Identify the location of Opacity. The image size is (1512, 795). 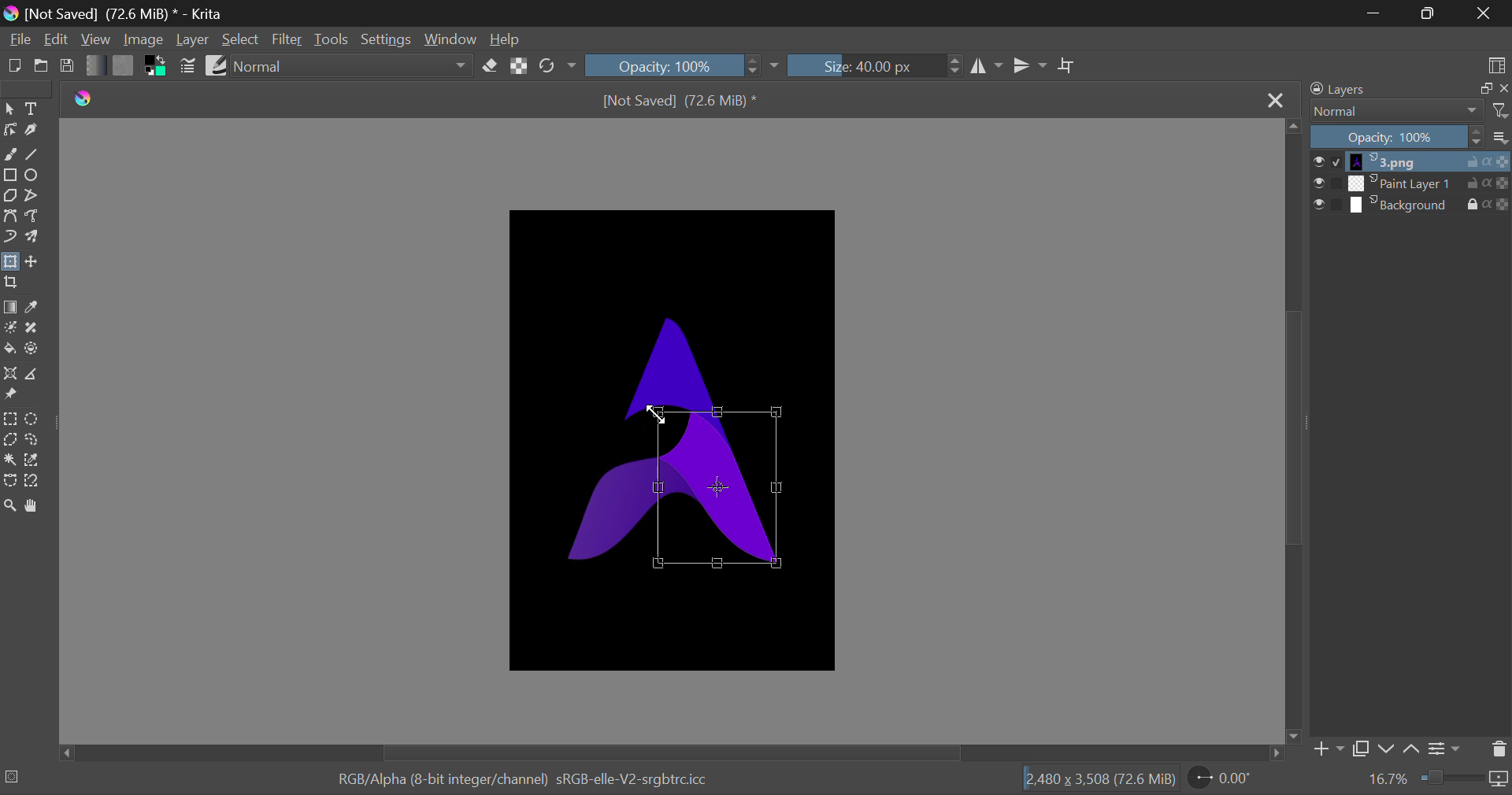
(1395, 138).